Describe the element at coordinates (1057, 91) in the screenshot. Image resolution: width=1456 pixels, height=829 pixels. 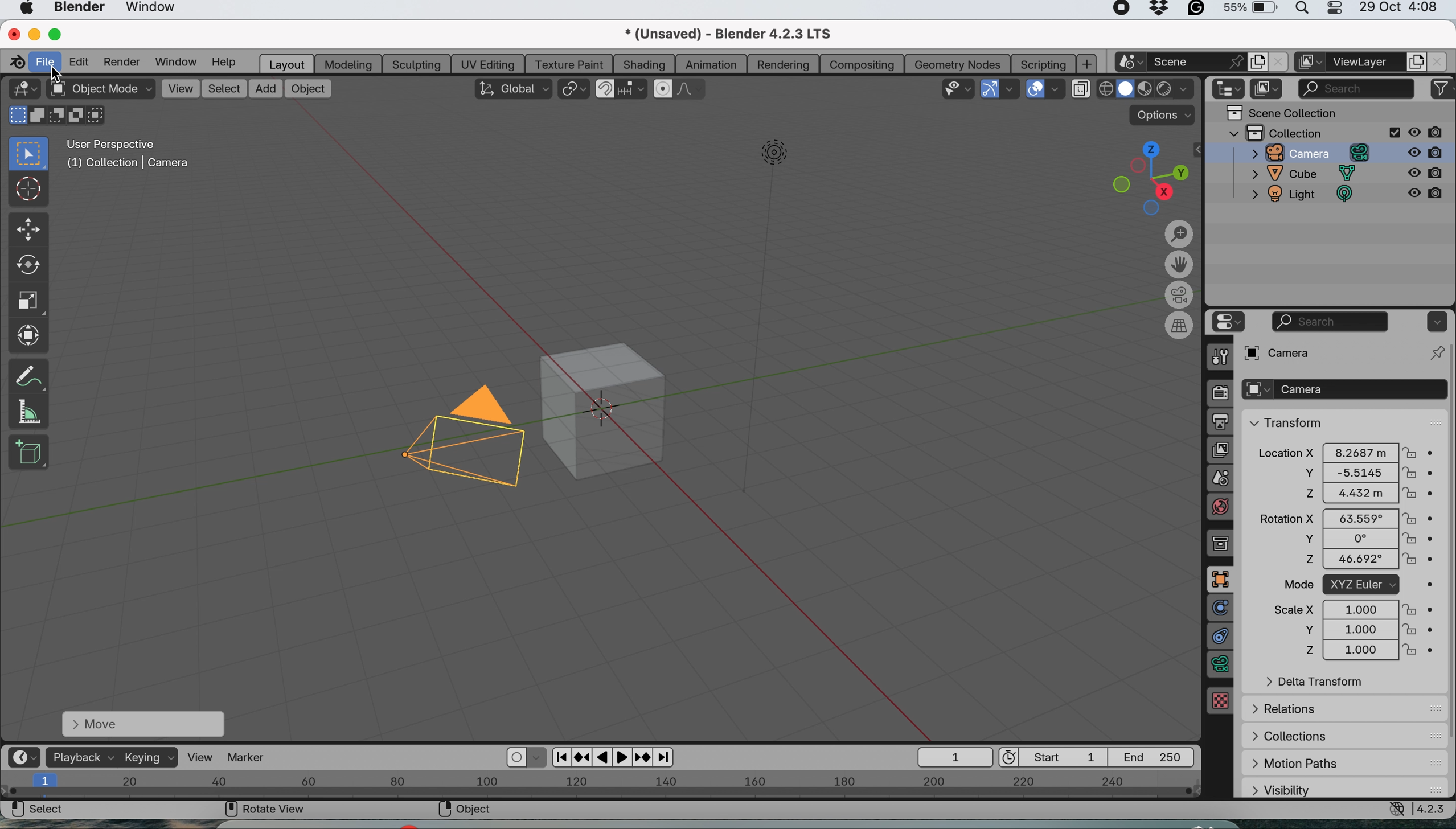
I see `overlays` at that location.